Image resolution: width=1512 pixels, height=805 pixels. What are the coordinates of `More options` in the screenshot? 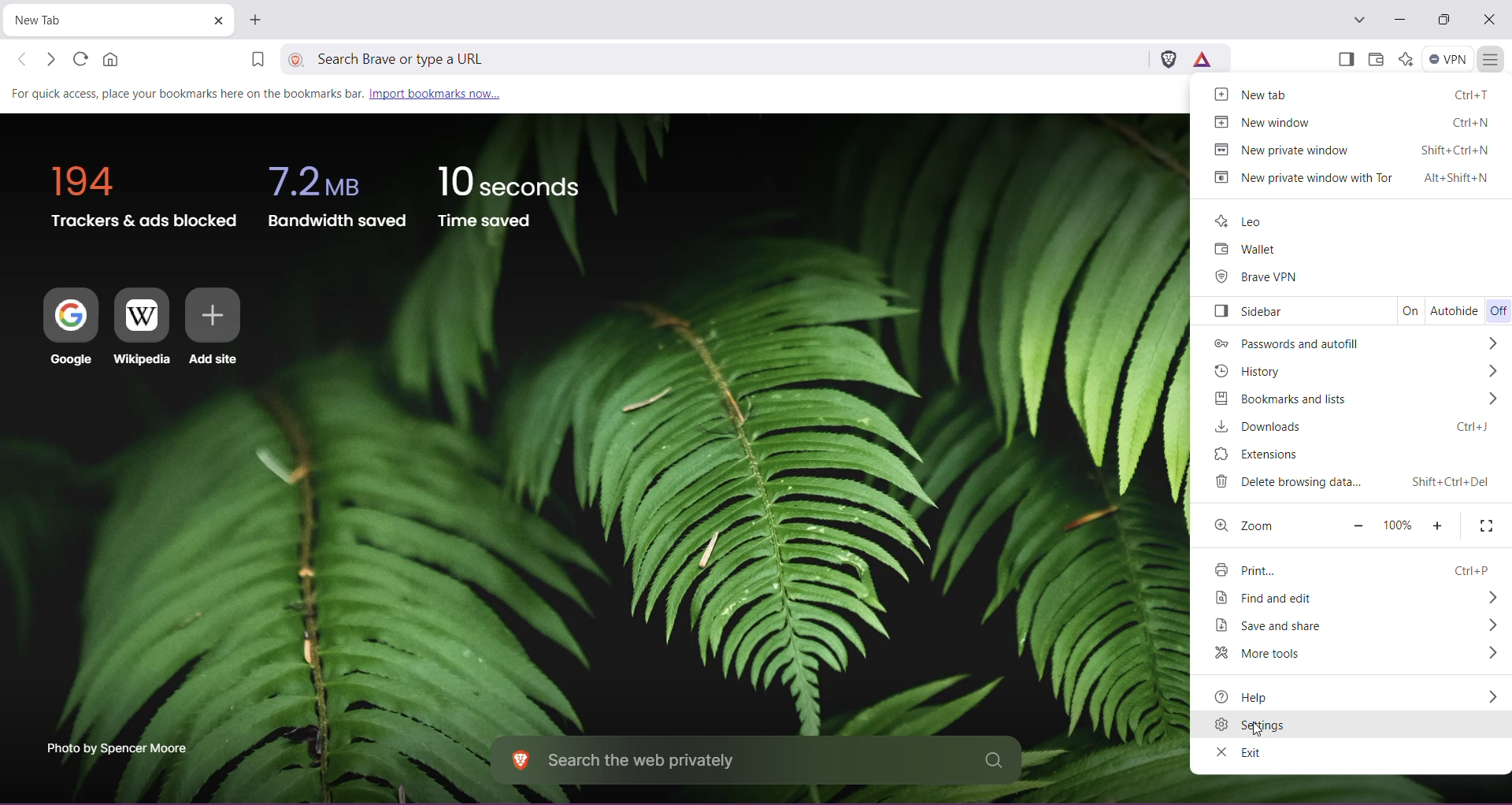 It's located at (1495, 371).